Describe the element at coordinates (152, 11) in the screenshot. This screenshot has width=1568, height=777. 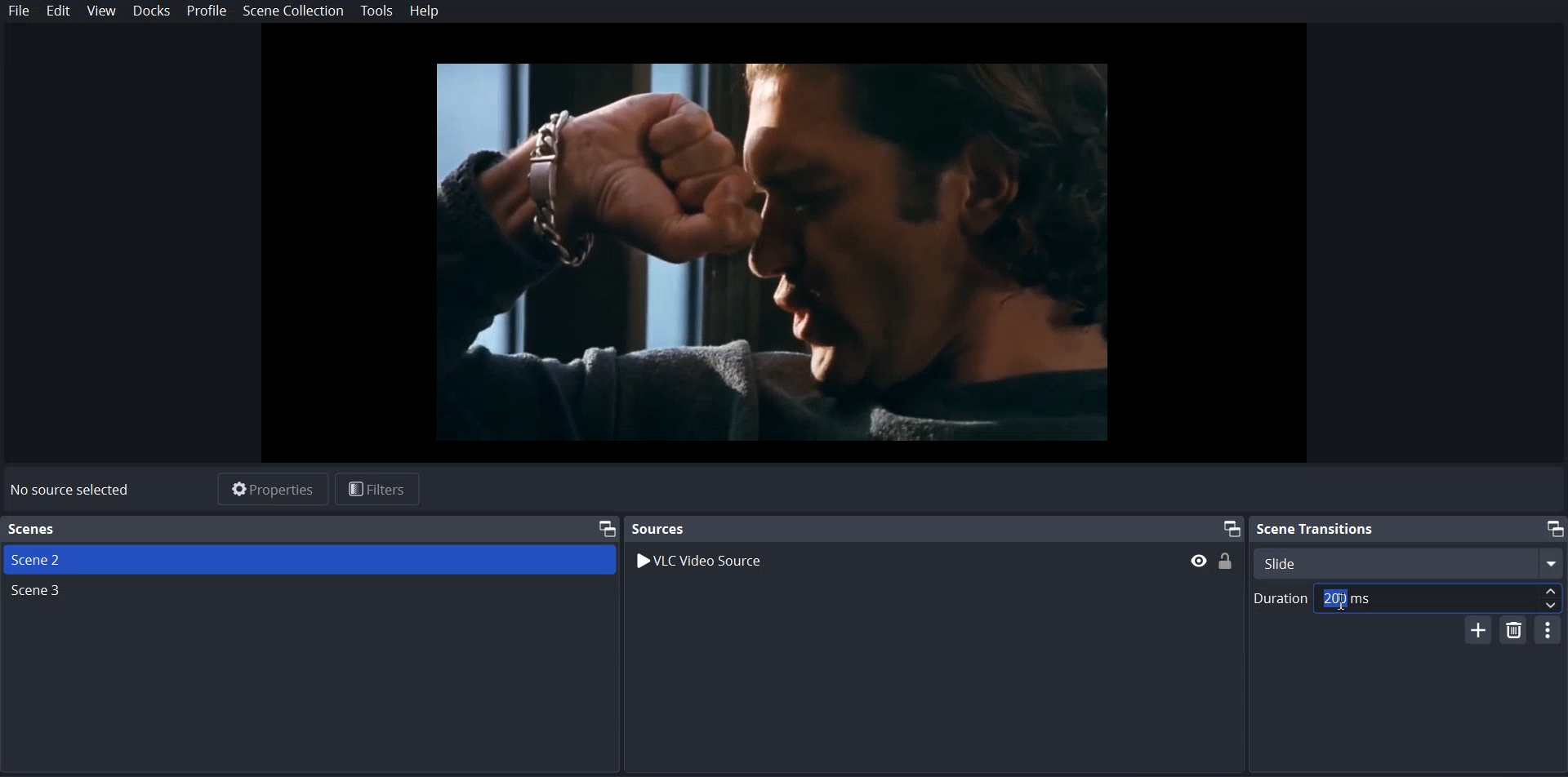
I see `Dock` at that location.